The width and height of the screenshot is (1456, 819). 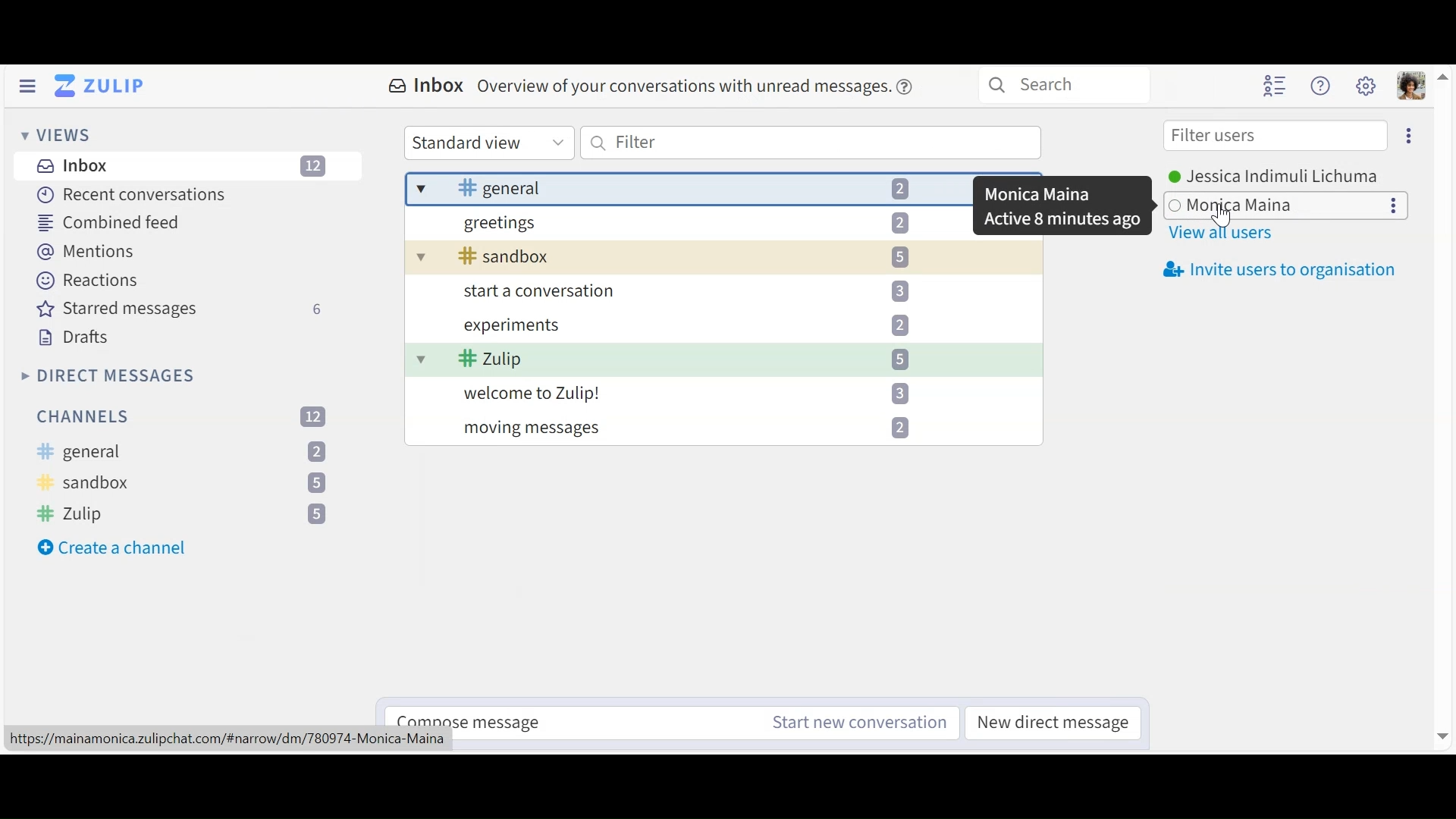 What do you see at coordinates (188, 168) in the screenshot?
I see `Inbox` at bounding box center [188, 168].